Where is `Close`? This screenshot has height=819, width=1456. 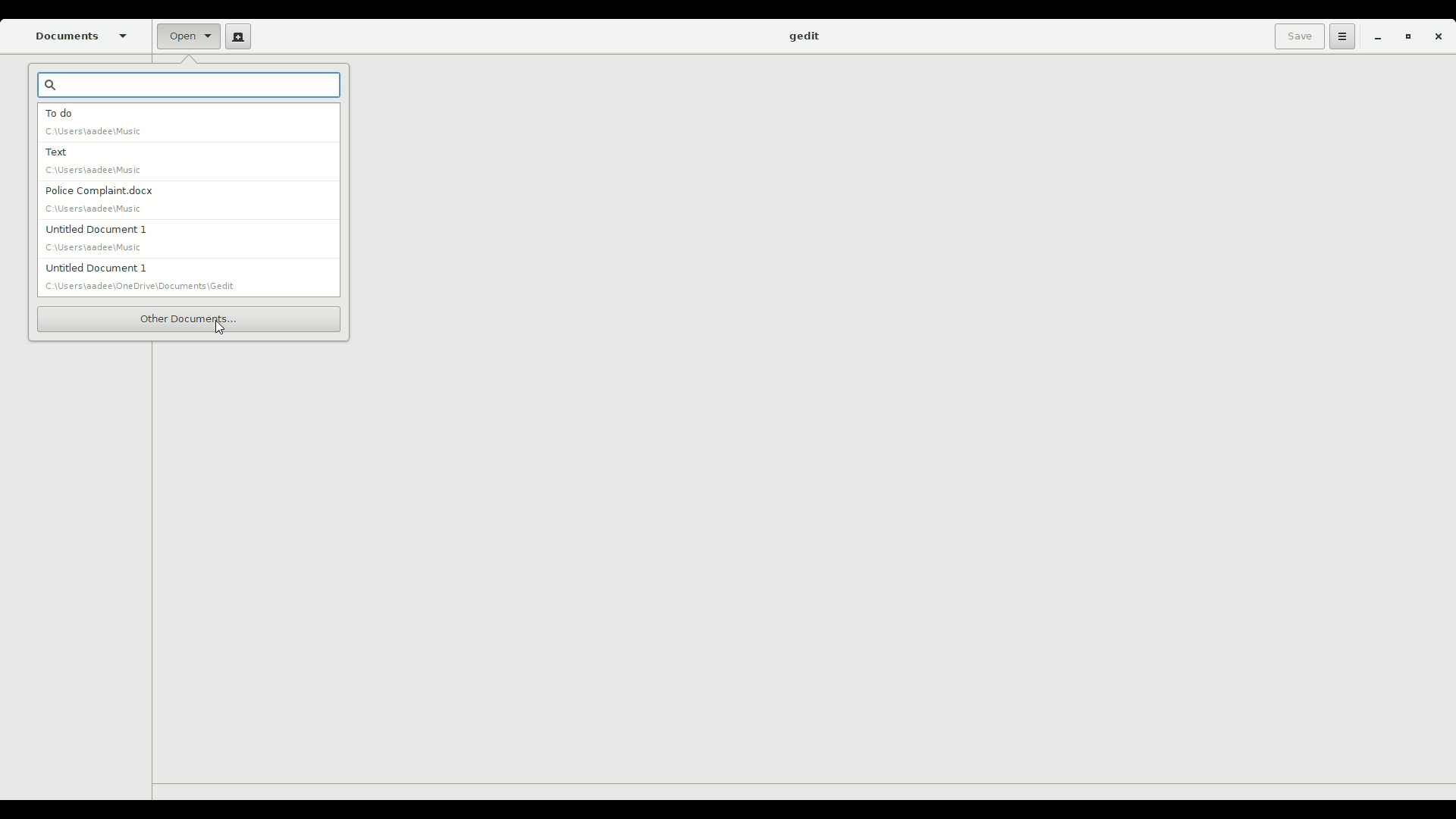
Close is located at coordinates (1438, 39).